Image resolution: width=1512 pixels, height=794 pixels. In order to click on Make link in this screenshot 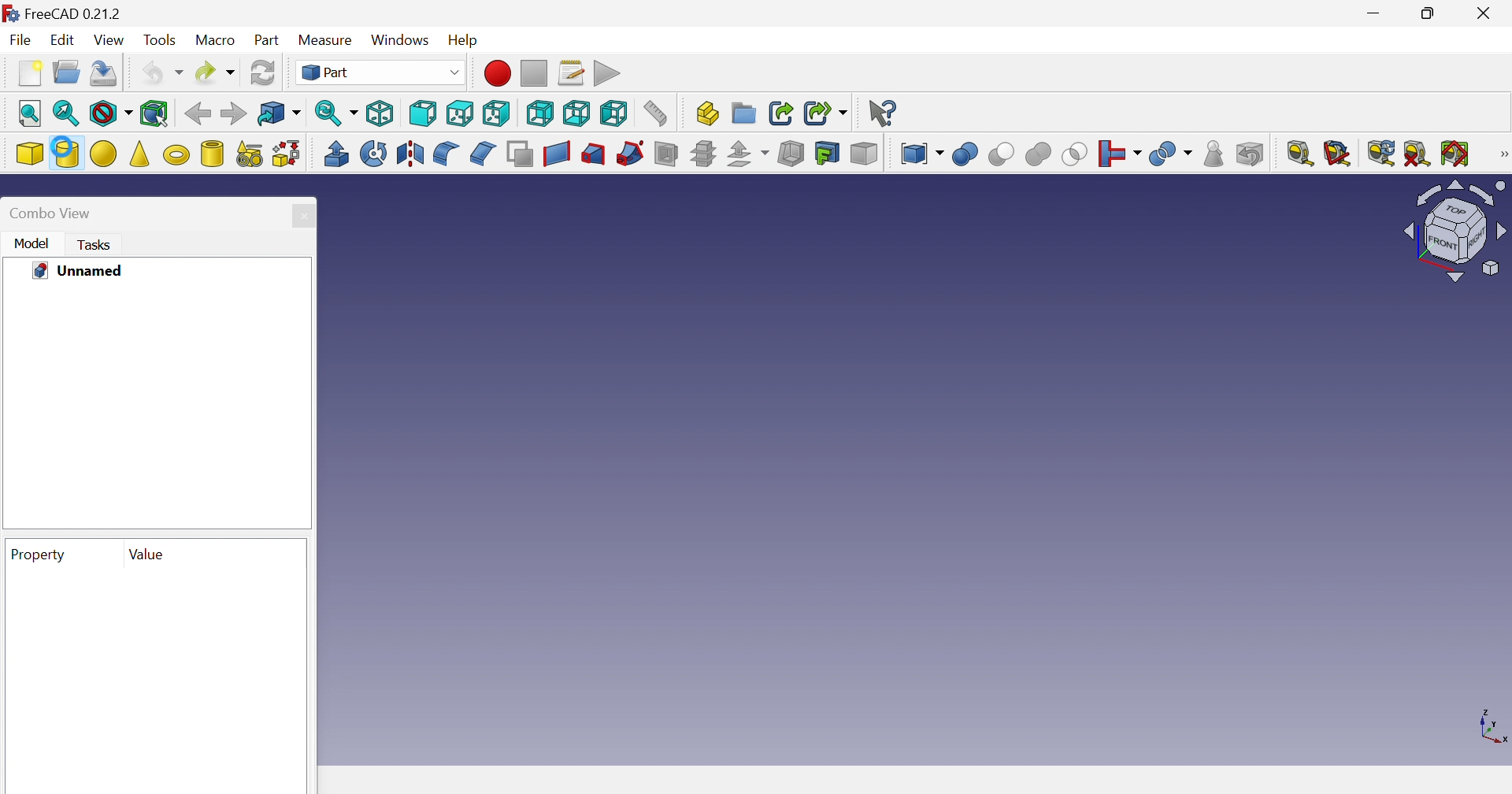, I will do `click(782, 113)`.